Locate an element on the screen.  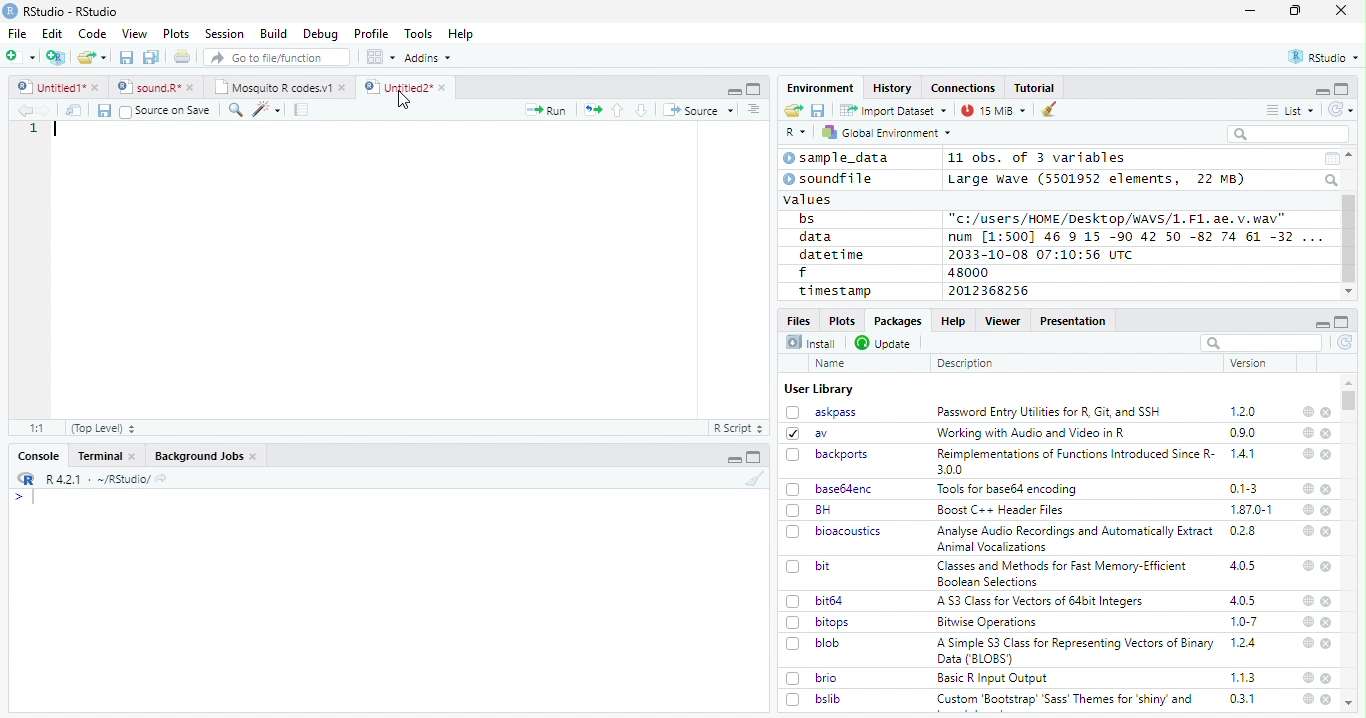
bitops is located at coordinates (819, 622).